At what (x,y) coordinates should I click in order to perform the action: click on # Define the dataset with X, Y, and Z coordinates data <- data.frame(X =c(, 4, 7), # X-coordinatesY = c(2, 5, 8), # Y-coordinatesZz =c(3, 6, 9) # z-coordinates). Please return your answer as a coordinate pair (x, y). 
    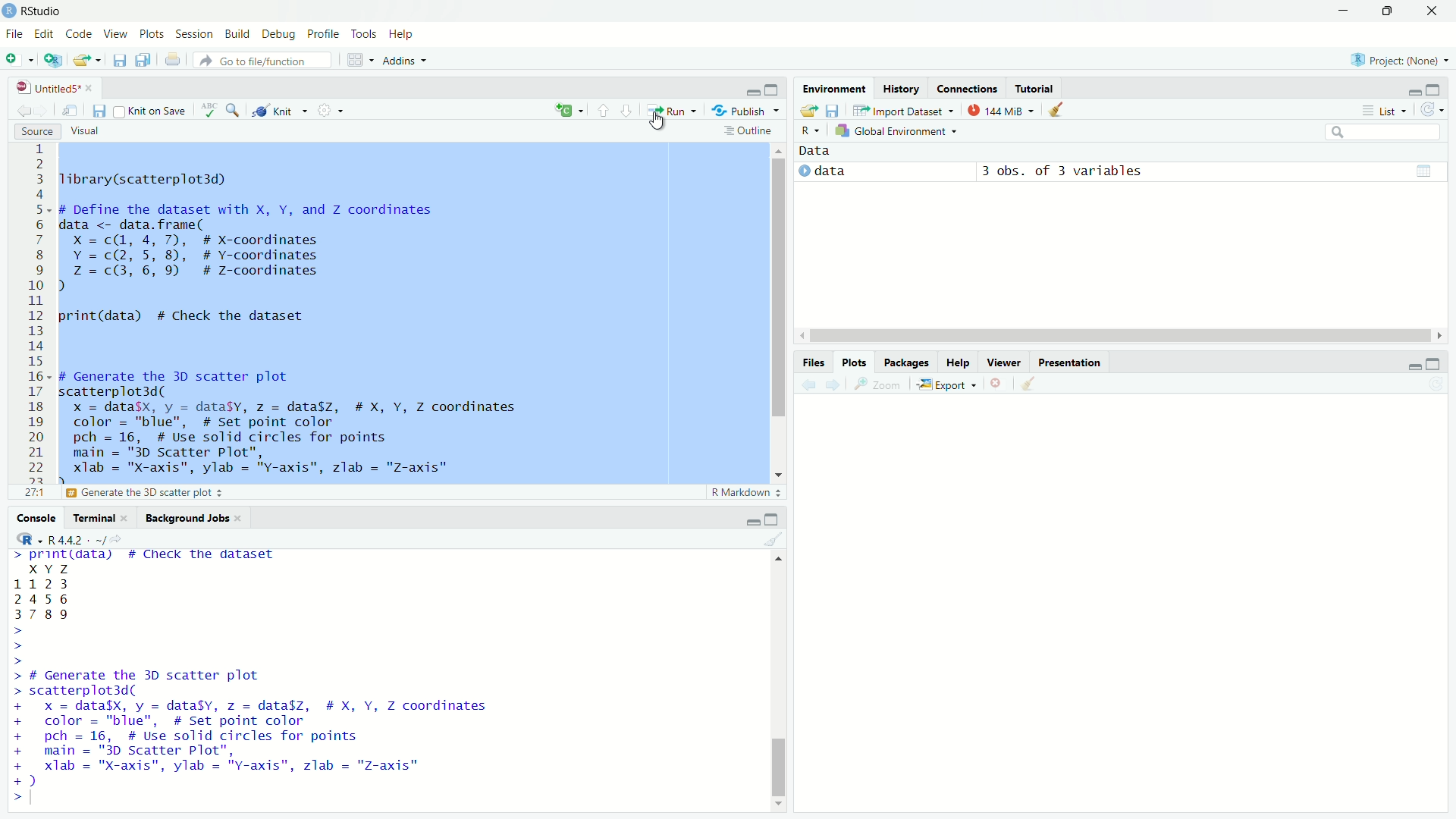
    Looking at the image, I should click on (256, 248).